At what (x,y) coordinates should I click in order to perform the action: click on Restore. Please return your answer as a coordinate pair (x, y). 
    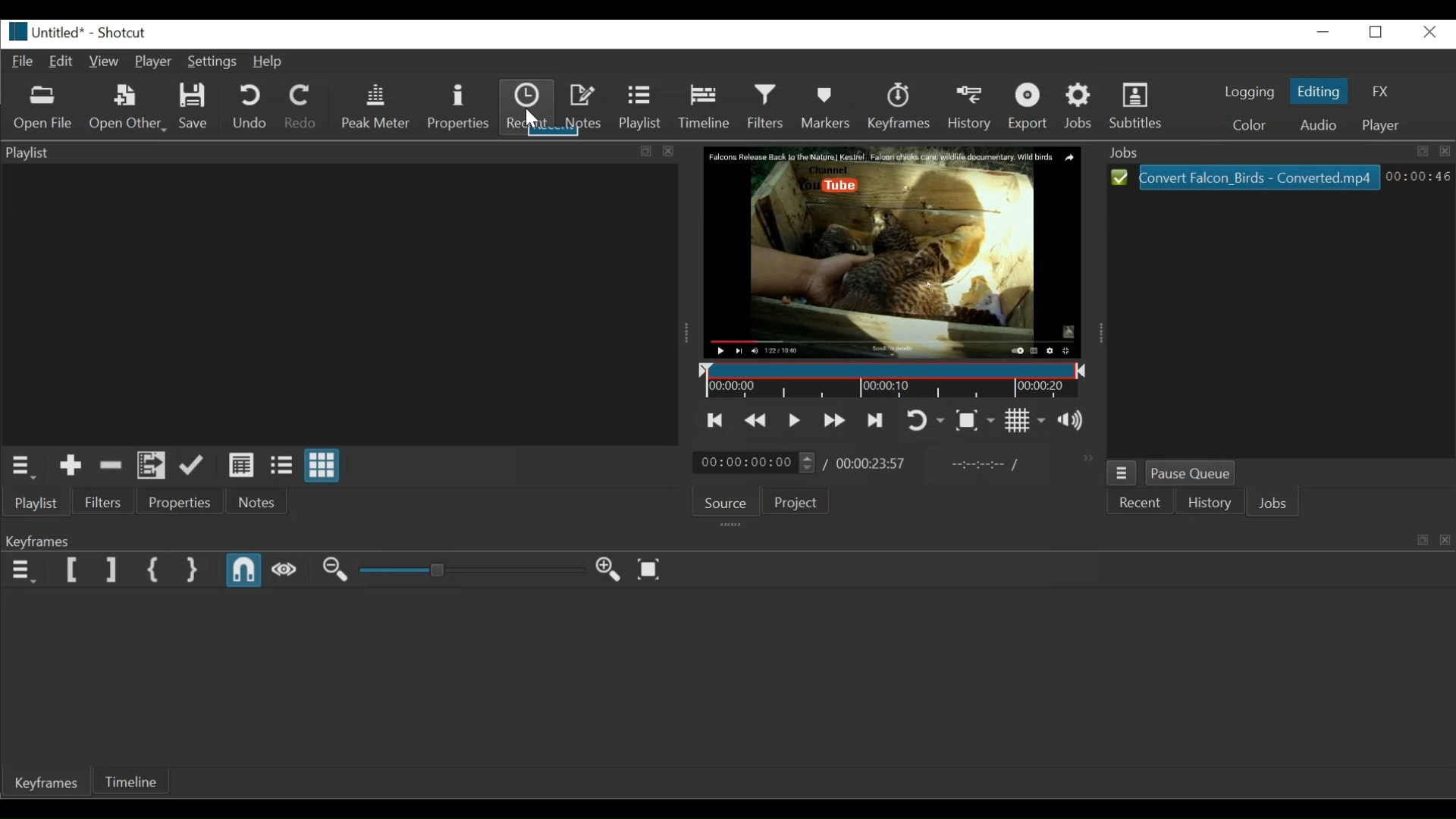
    Looking at the image, I should click on (1377, 34).